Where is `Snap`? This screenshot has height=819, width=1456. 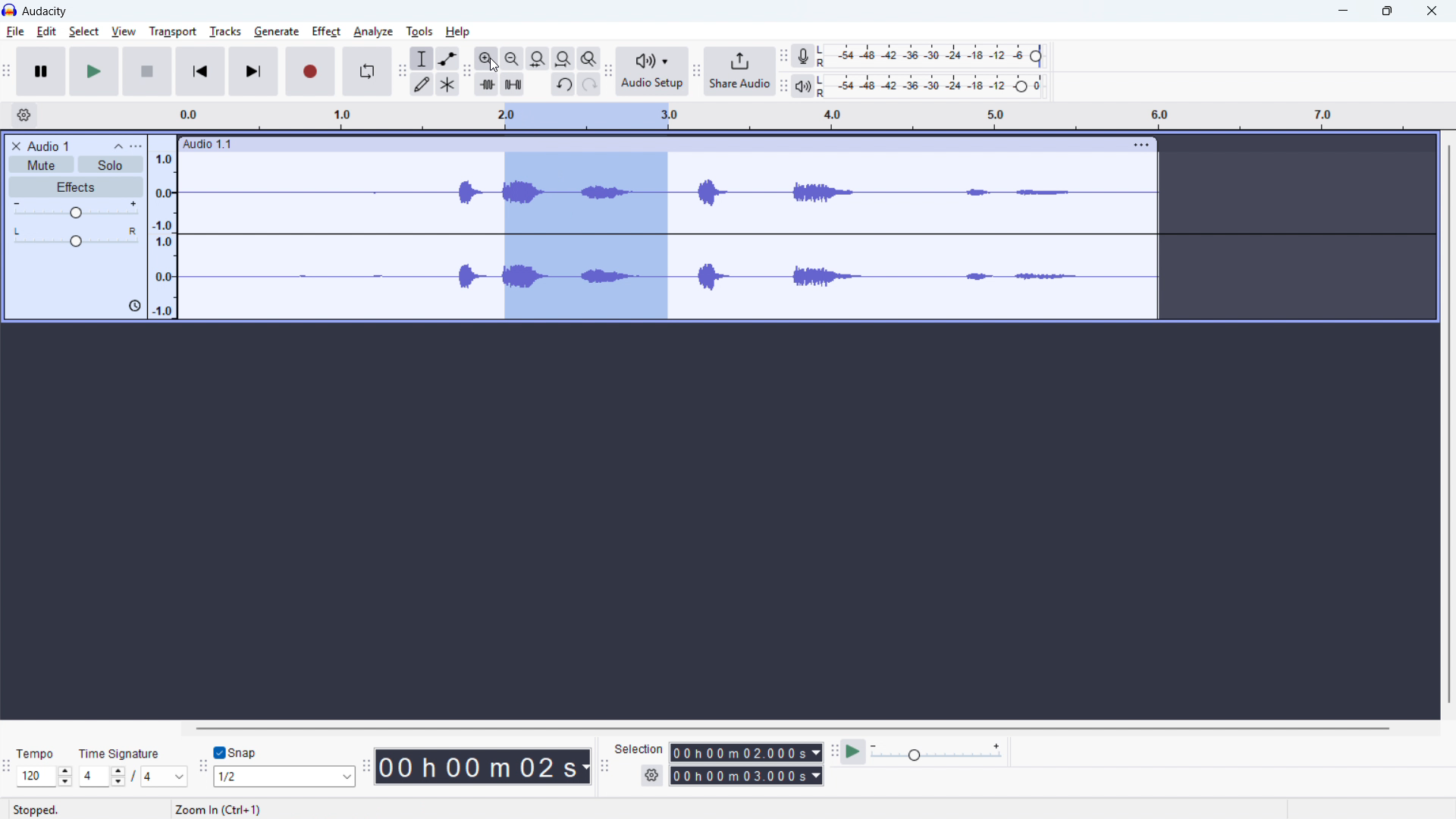 Snap is located at coordinates (238, 752).